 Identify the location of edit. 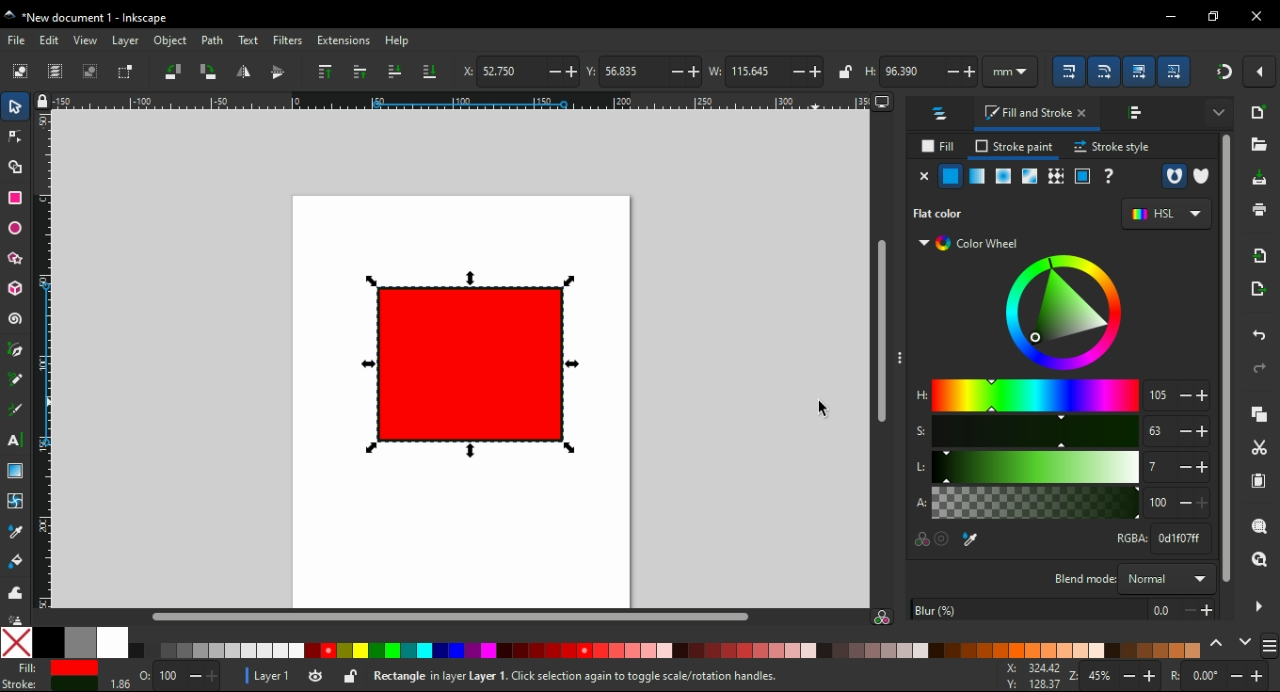
(52, 40).